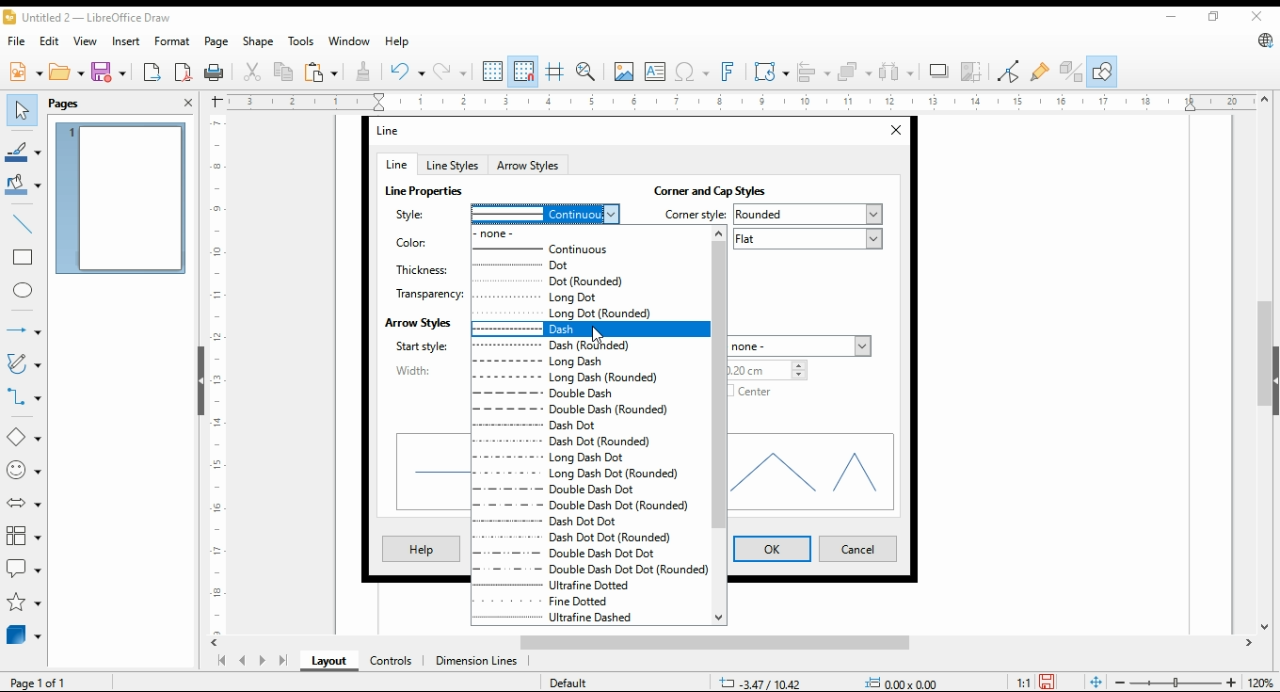  What do you see at coordinates (24, 291) in the screenshot?
I see `ellipse` at bounding box center [24, 291].